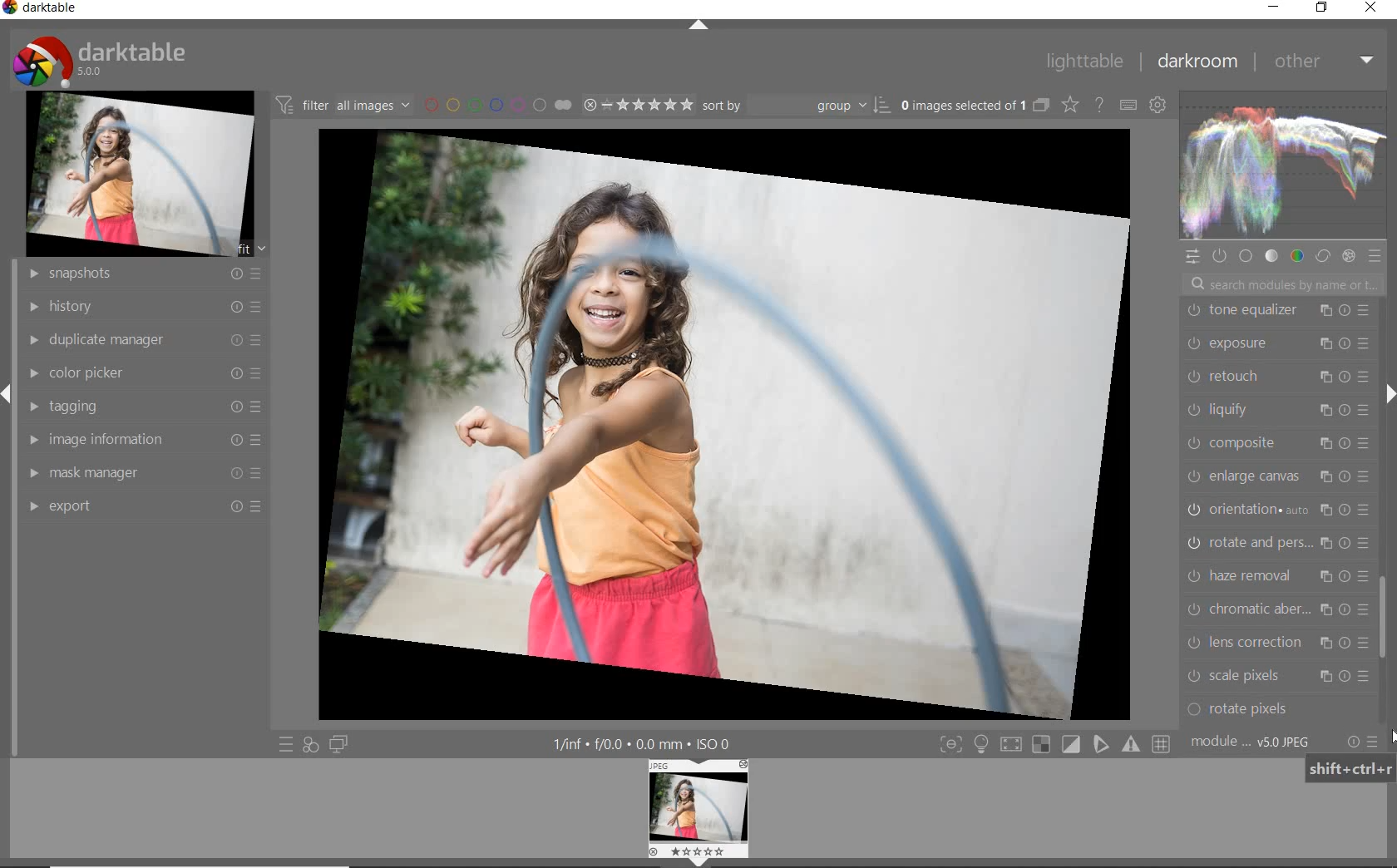 The width and height of the screenshot is (1397, 868). What do you see at coordinates (1218, 254) in the screenshot?
I see `show only active module` at bounding box center [1218, 254].